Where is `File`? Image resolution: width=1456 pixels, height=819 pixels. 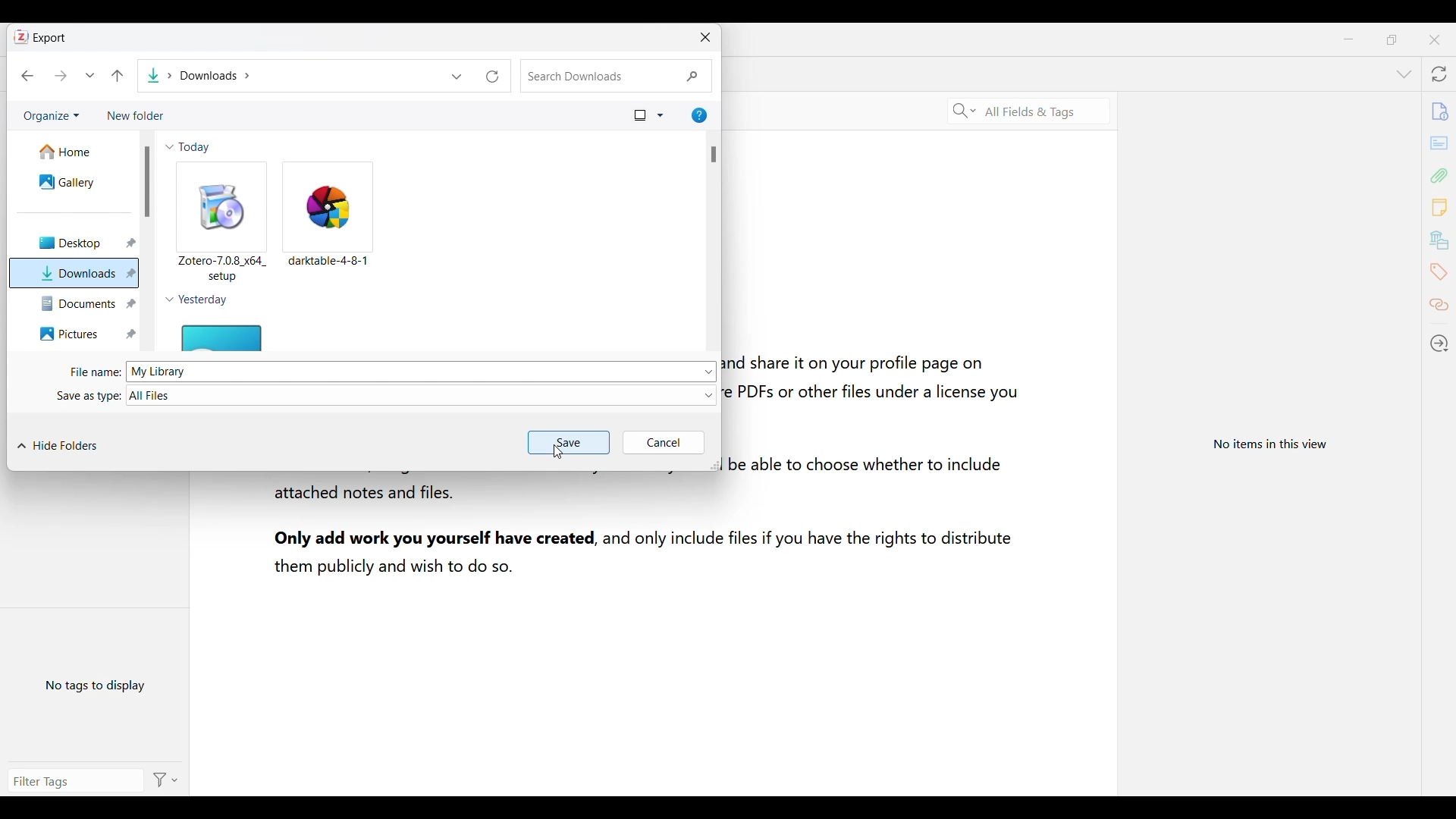 File is located at coordinates (224, 337).